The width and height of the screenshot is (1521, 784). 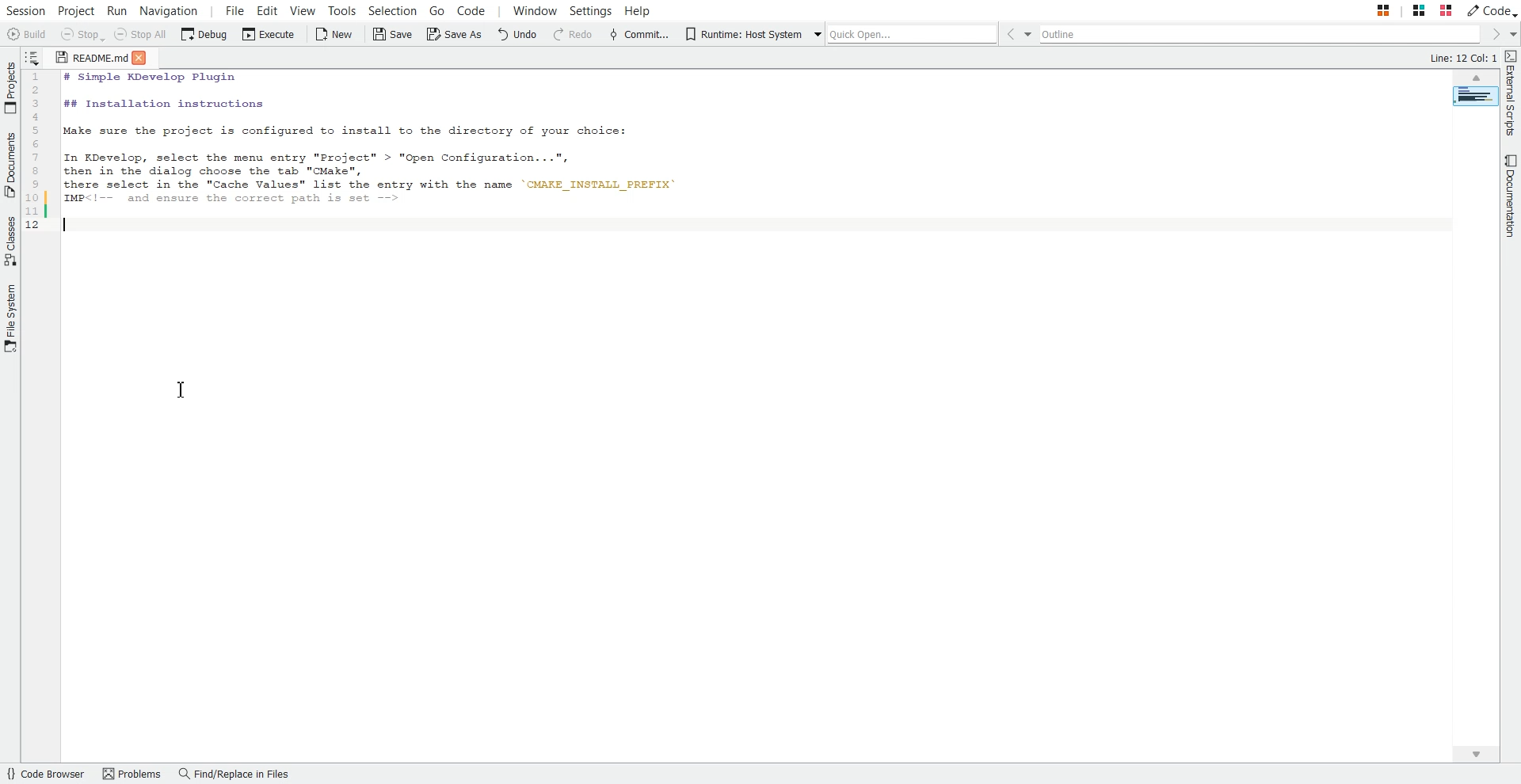 I want to click on File System, so click(x=10, y=319).